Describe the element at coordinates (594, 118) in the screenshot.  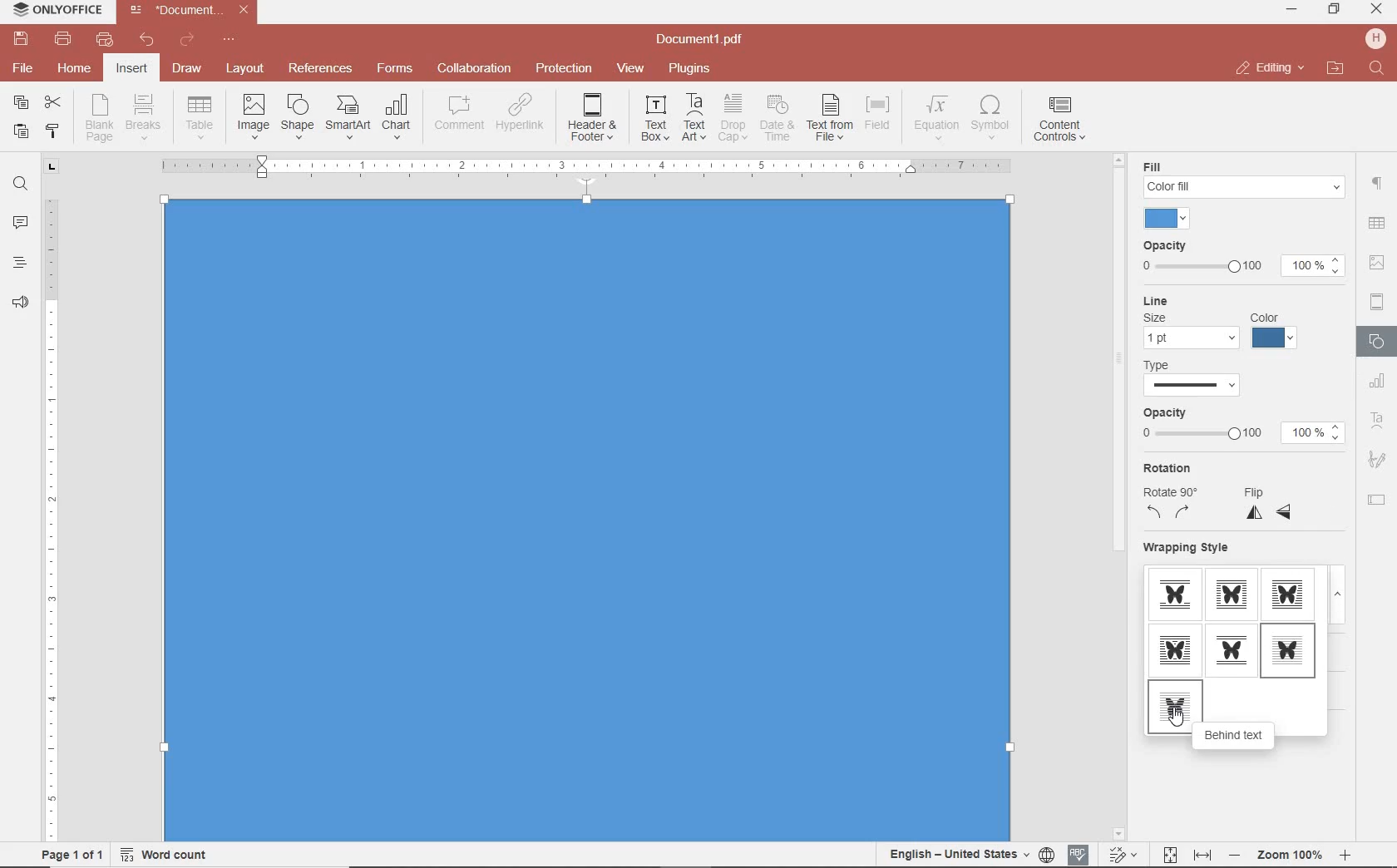
I see `EDIT HEADER OR FOOTER` at that location.